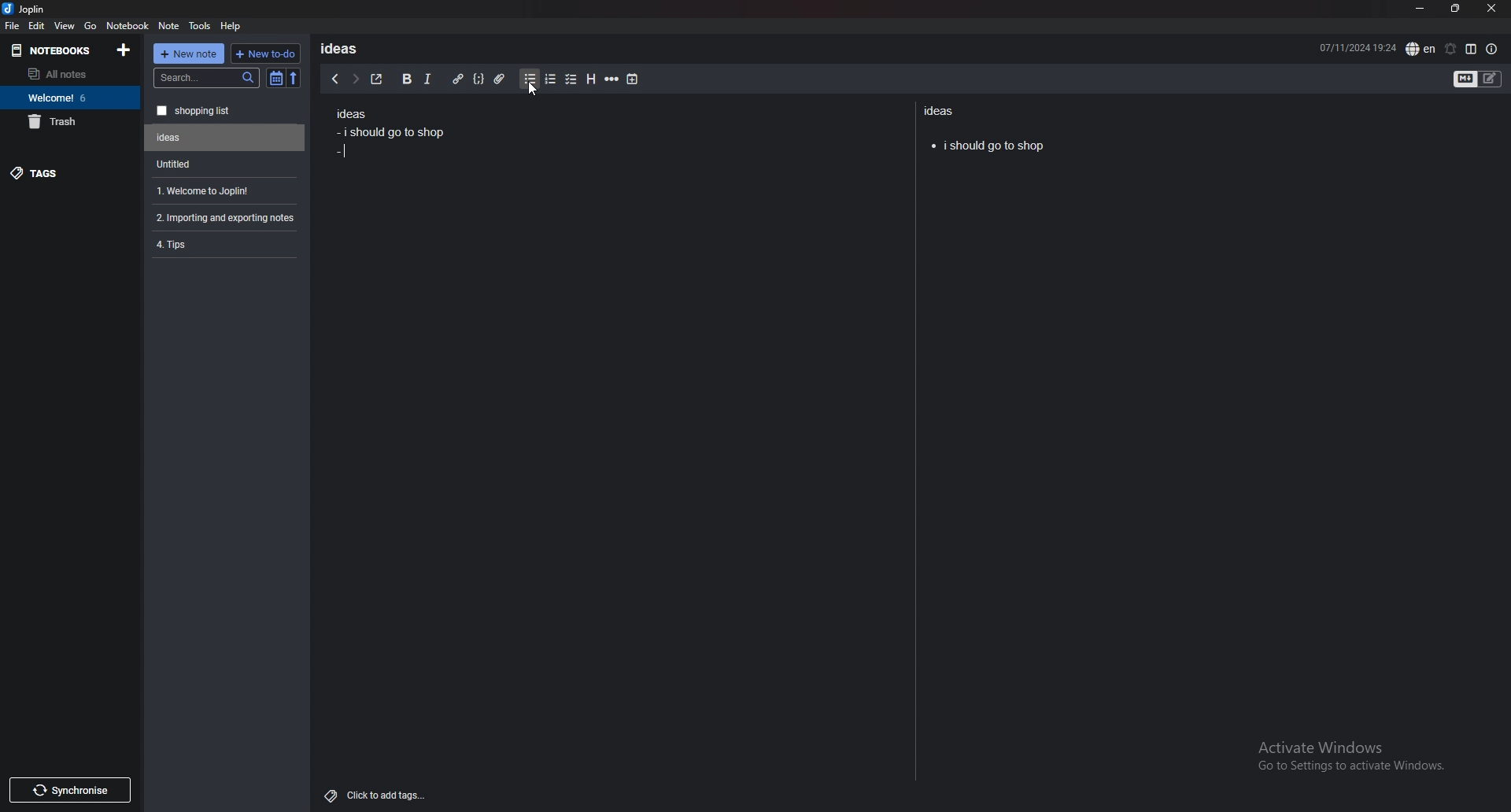 The width and height of the screenshot is (1511, 812). What do you see at coordinates (224, 243) in the screenshot?
I see `Tips` at bounding box center [224, 243].